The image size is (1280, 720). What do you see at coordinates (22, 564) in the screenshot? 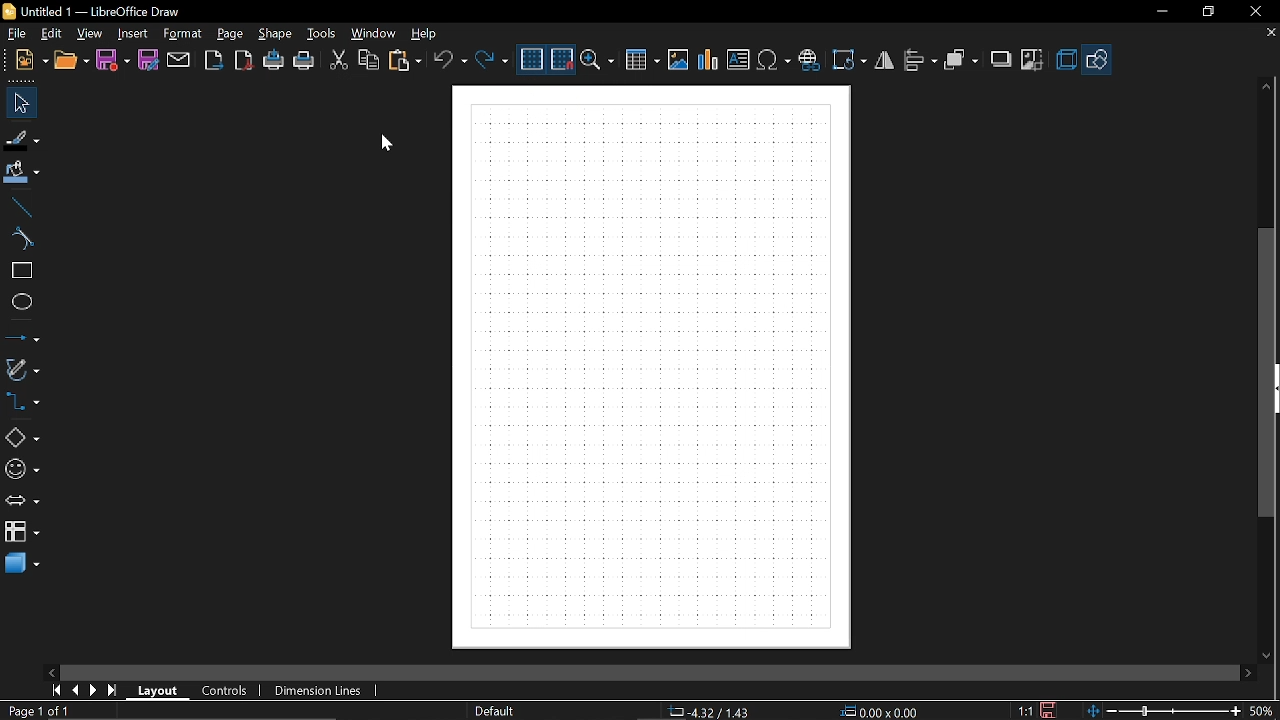
I see `3d shapes` at bounding box center [22, 564].